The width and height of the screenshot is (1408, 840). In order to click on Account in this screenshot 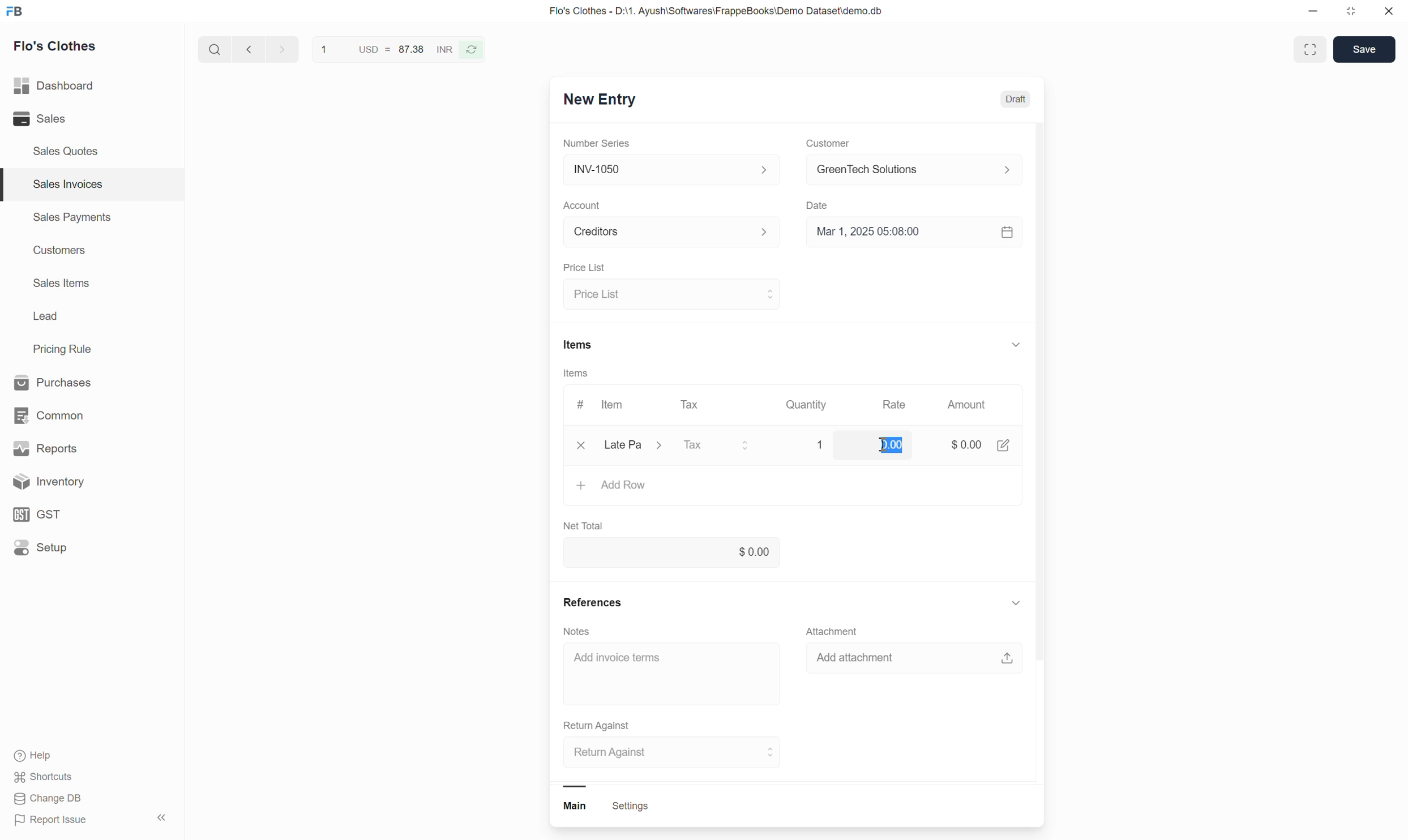, I will do `click(584, 205)`.